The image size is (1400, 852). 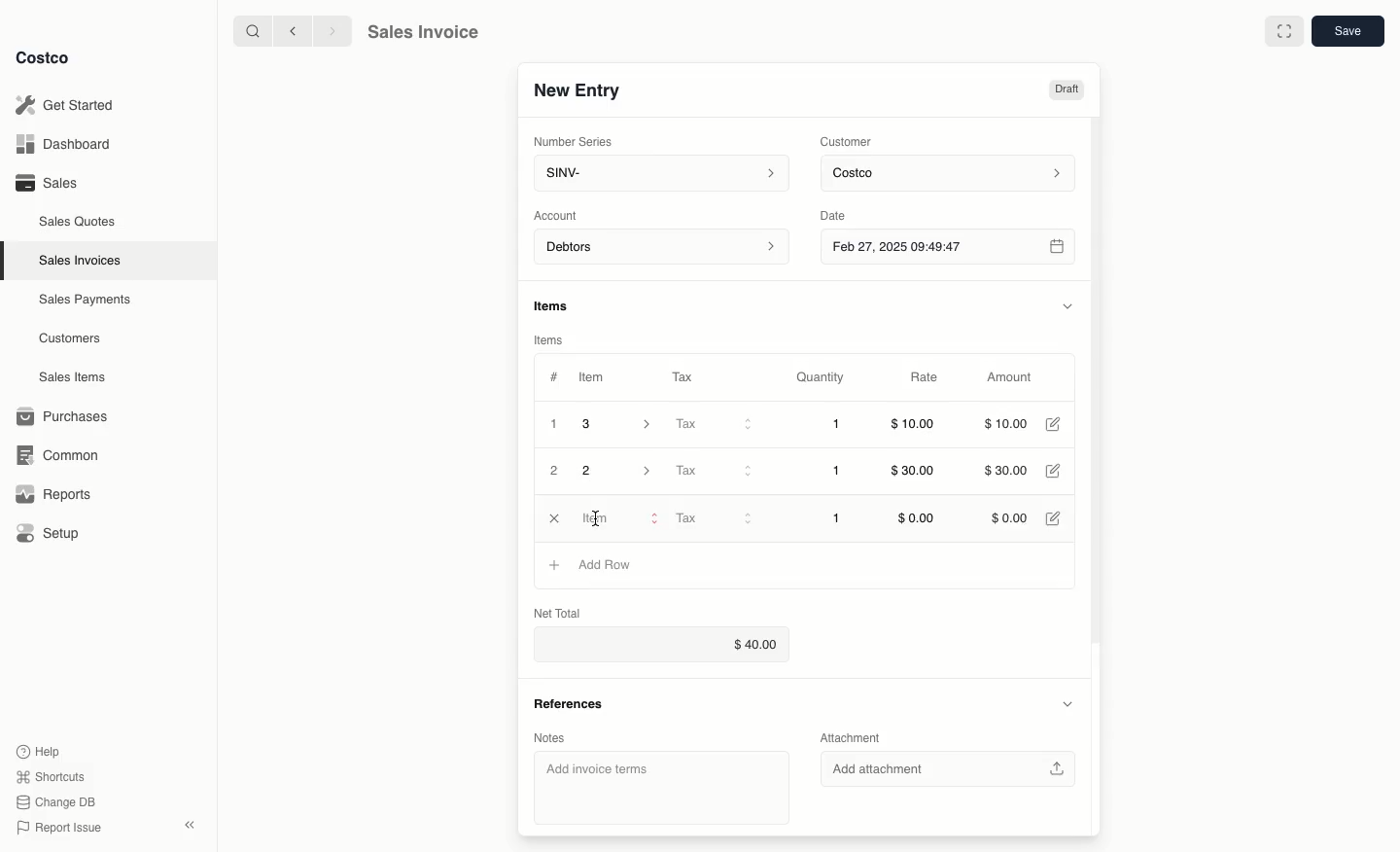 What do you see at coordinates (559, 214) in the screenshot?
I see `‘Account` at bounding box center [559, 214].